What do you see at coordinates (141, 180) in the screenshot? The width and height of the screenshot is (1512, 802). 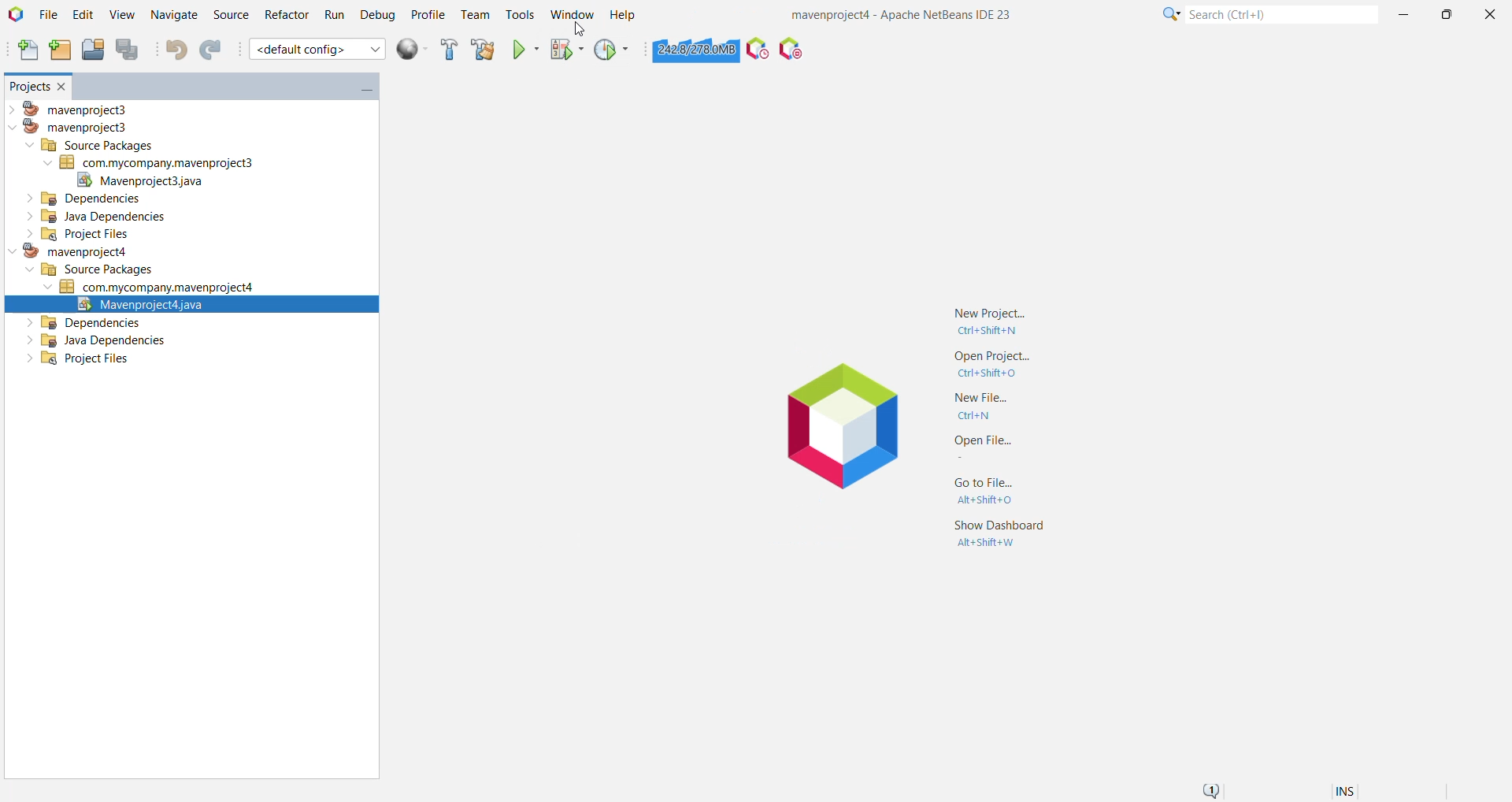 I see `Mavenproject.java` at bounding box center [141, 180].